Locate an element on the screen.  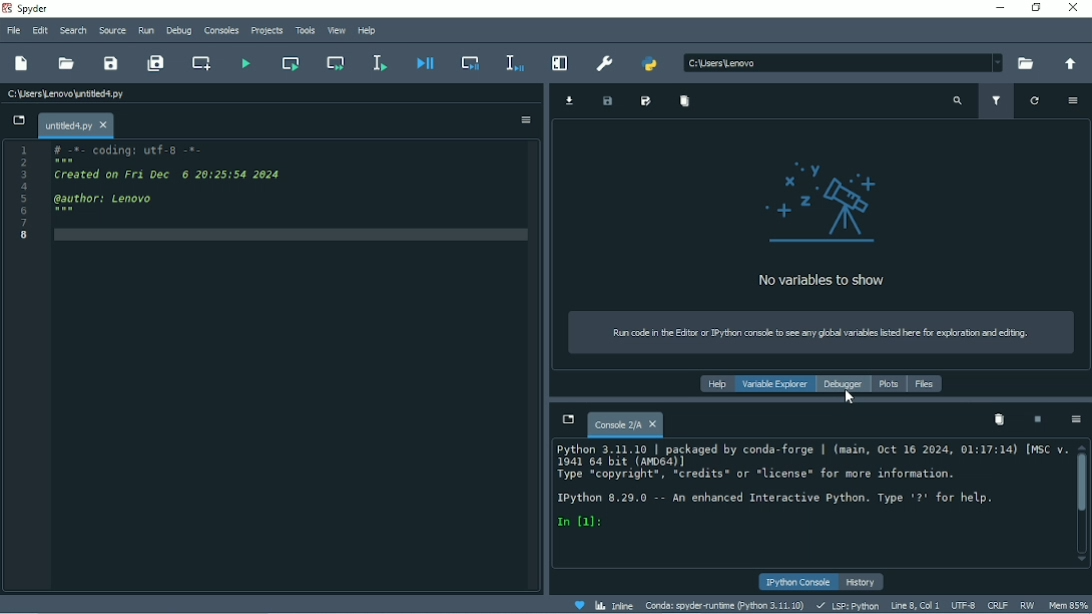
Remove all variables from namespace is located at coordinates (1000, 420).